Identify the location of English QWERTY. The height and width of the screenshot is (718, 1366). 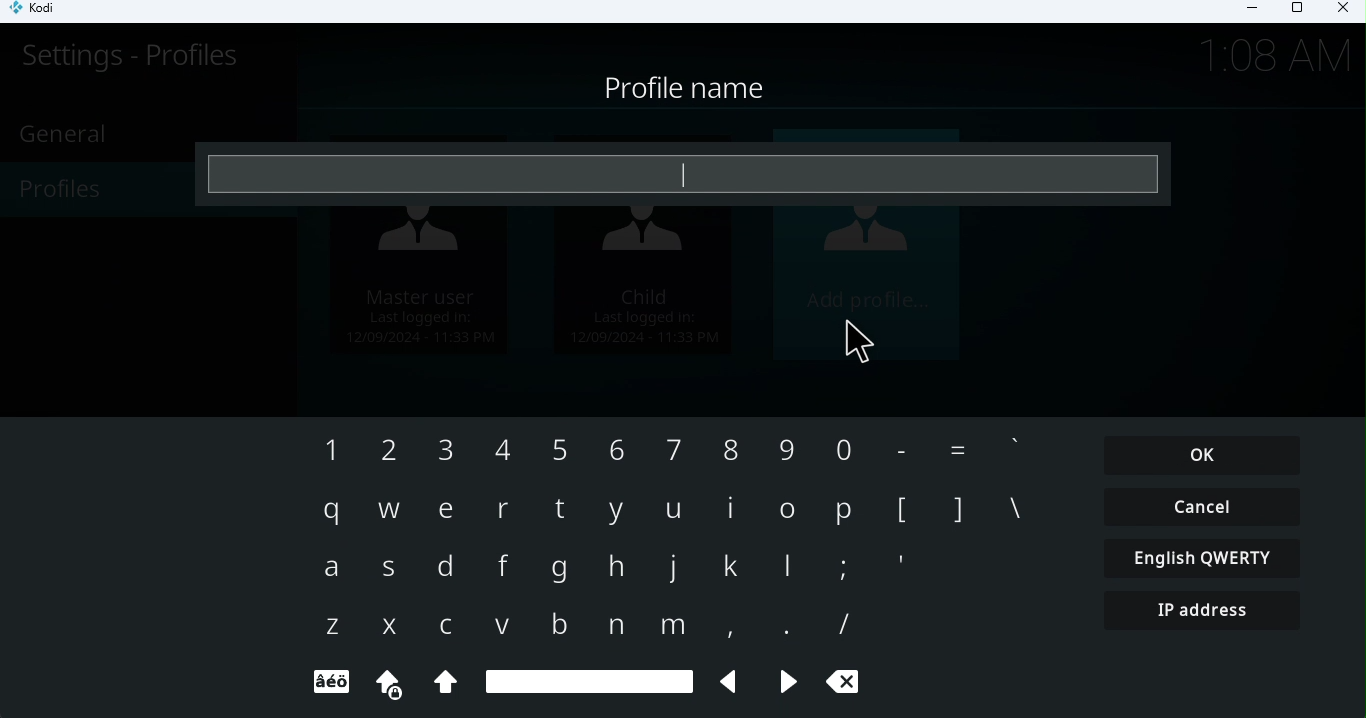
(1206, 561).